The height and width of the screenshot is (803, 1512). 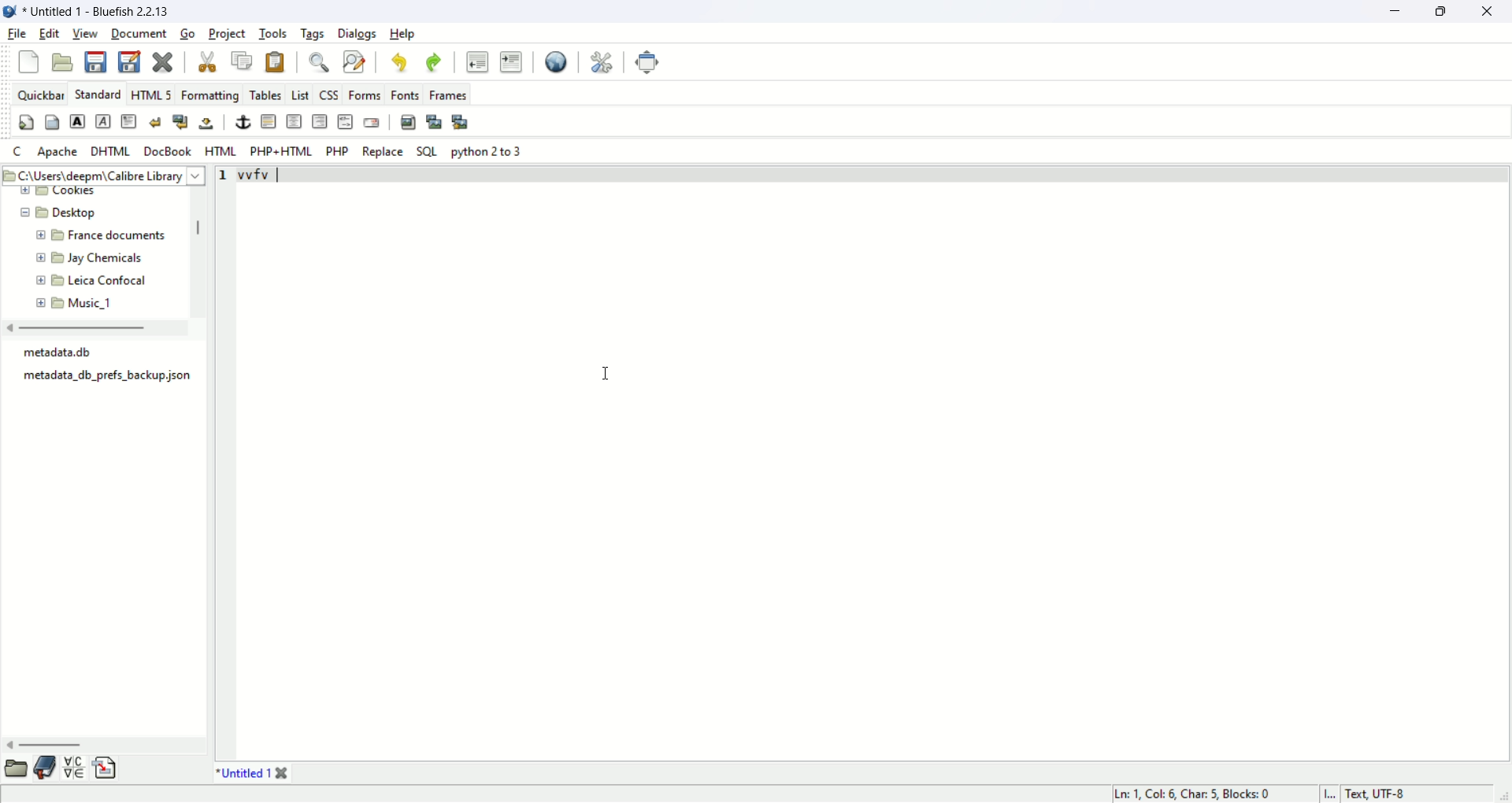 I want to click on file, so click(x=18, y=35).